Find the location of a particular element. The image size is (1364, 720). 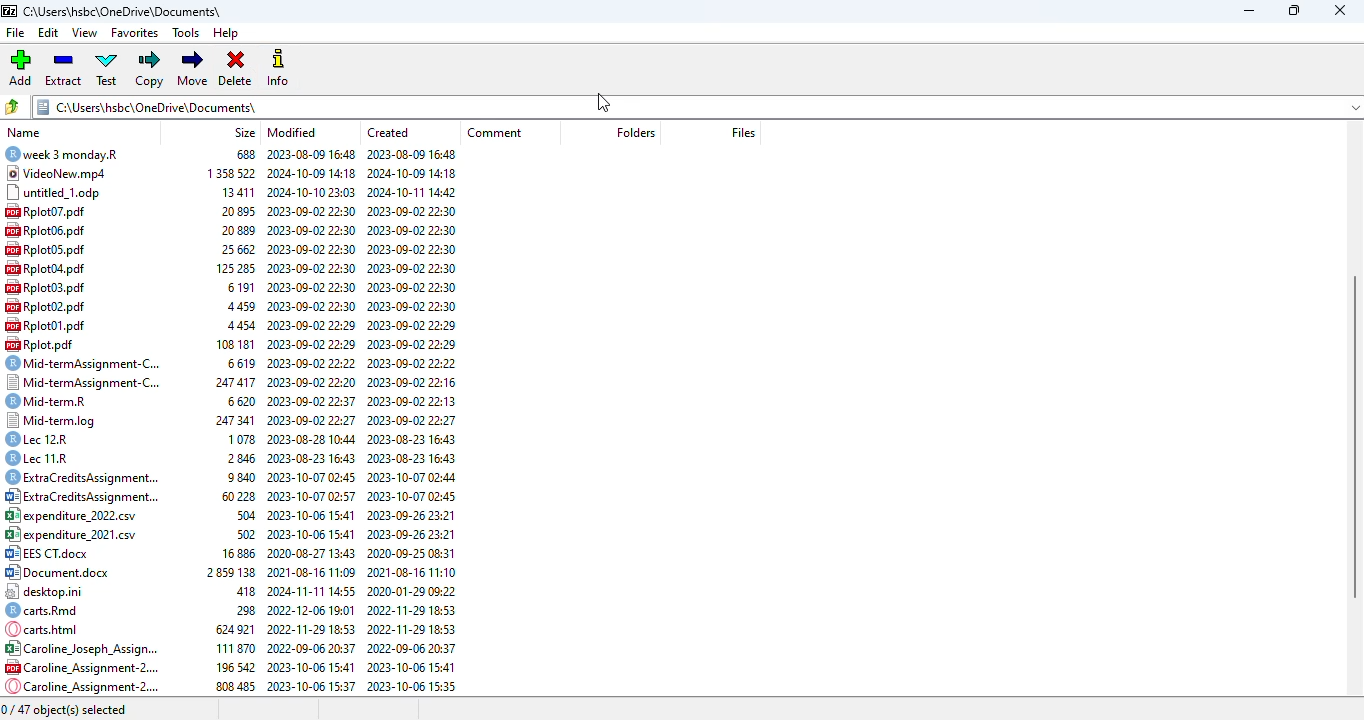

418 is located at coordinates (243, 592).